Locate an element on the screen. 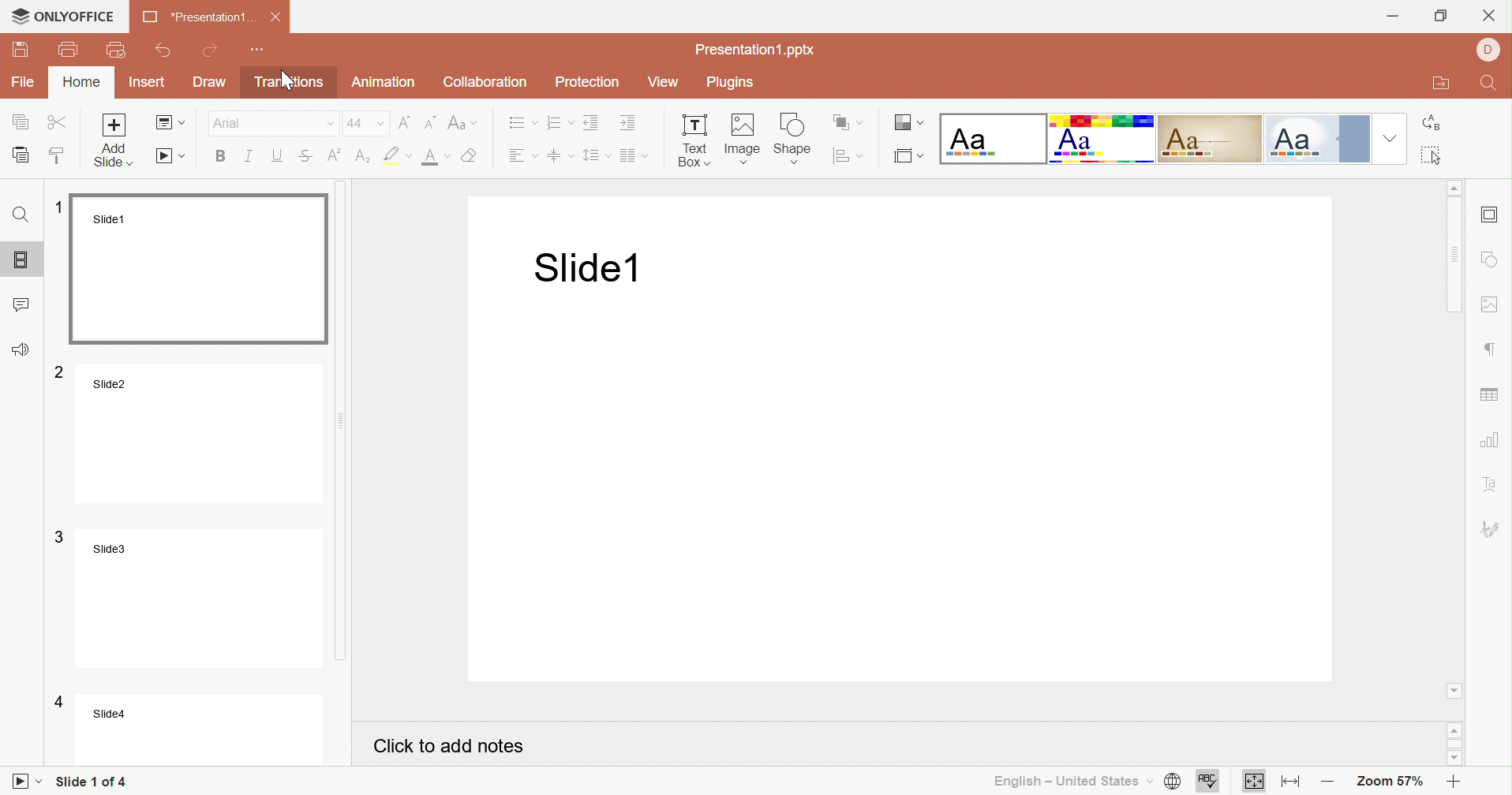 This screenshot has height=795, width=1512. Clear style is located at coordinates (473, 157).